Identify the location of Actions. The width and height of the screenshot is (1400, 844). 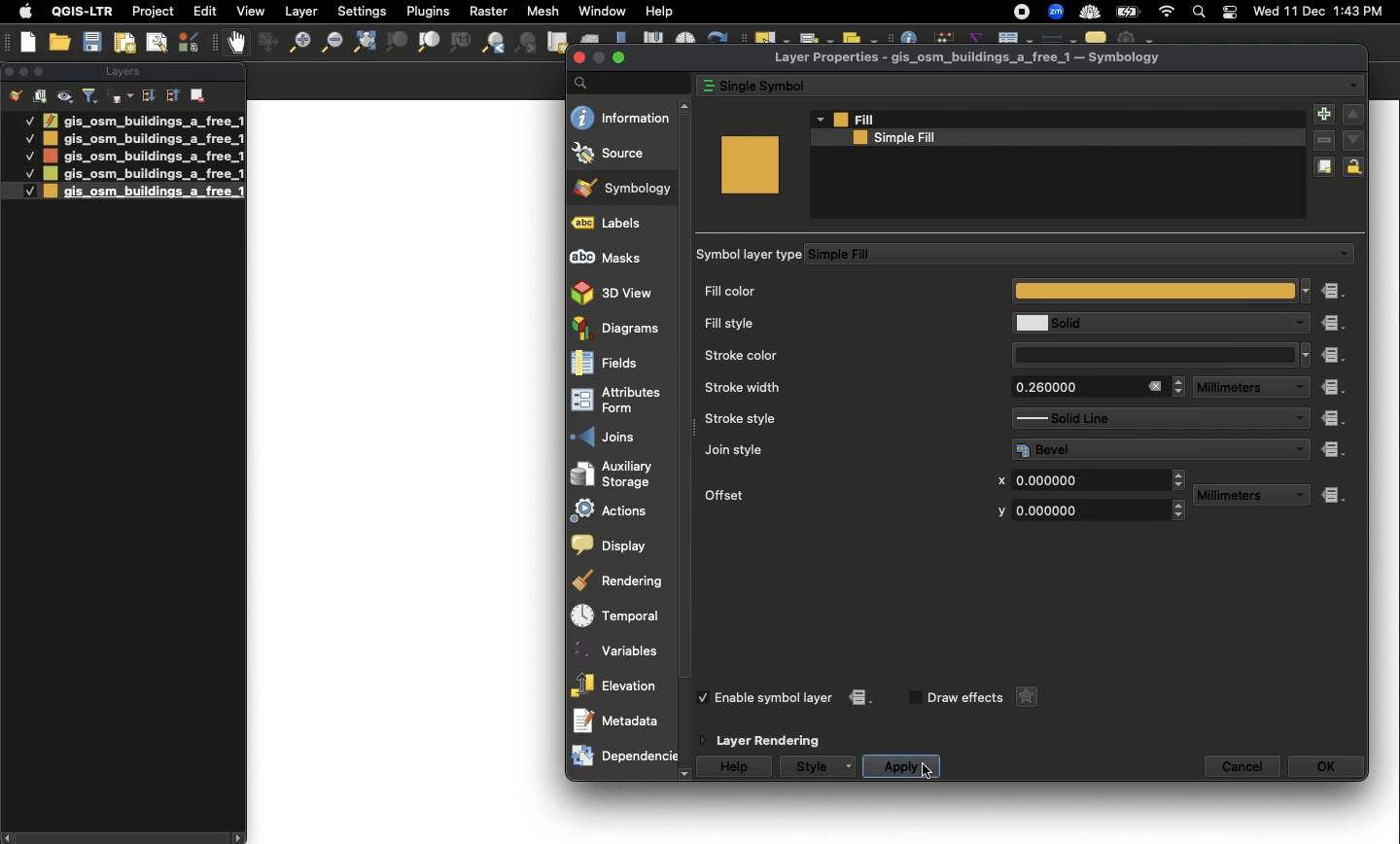
(621, 510).